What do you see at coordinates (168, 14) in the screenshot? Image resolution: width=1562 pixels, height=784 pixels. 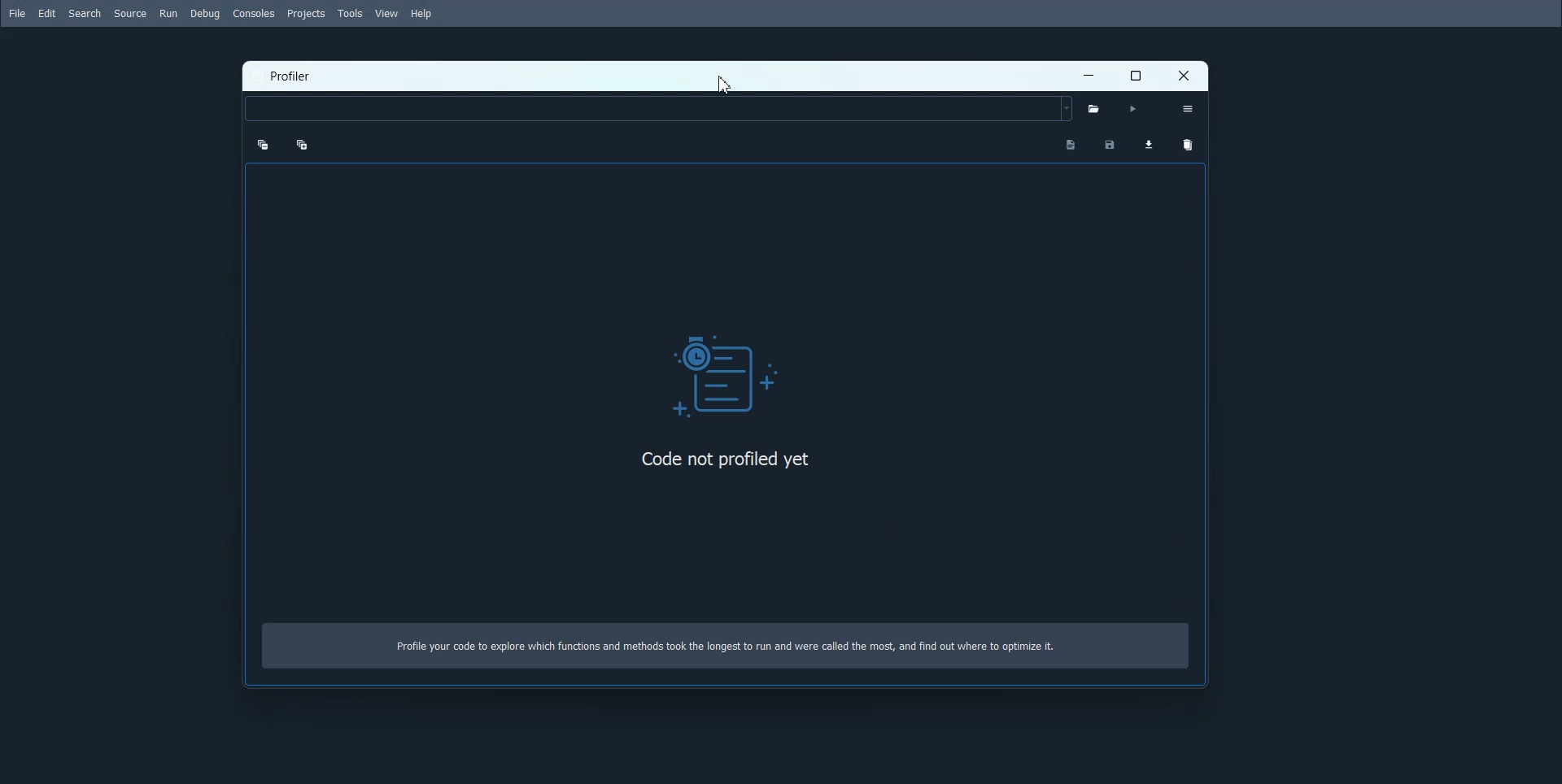 I see `Run` at bounding box center [168, 14].